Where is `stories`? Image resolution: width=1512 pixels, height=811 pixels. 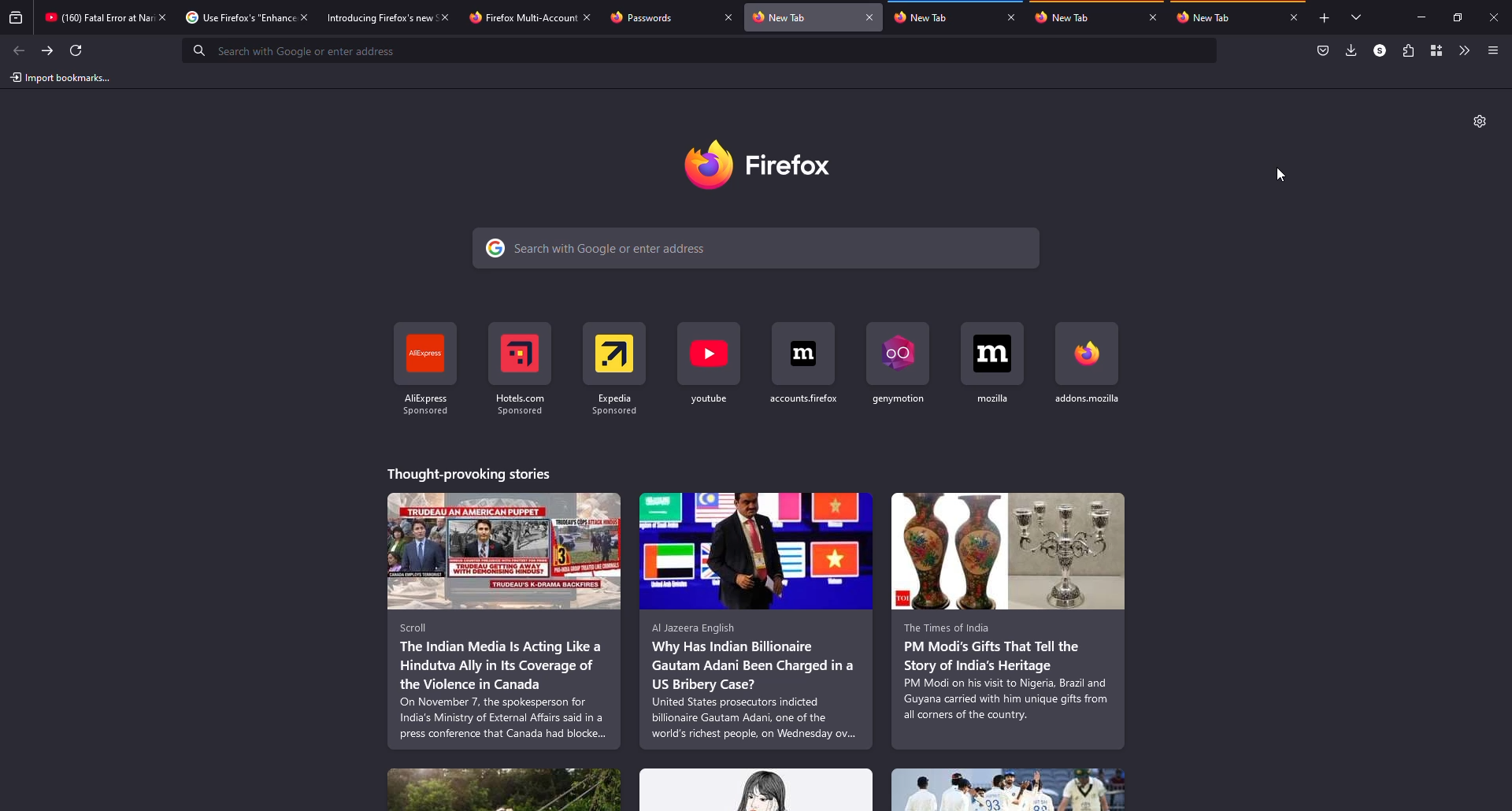 stories is located at coordinates (757, 620).